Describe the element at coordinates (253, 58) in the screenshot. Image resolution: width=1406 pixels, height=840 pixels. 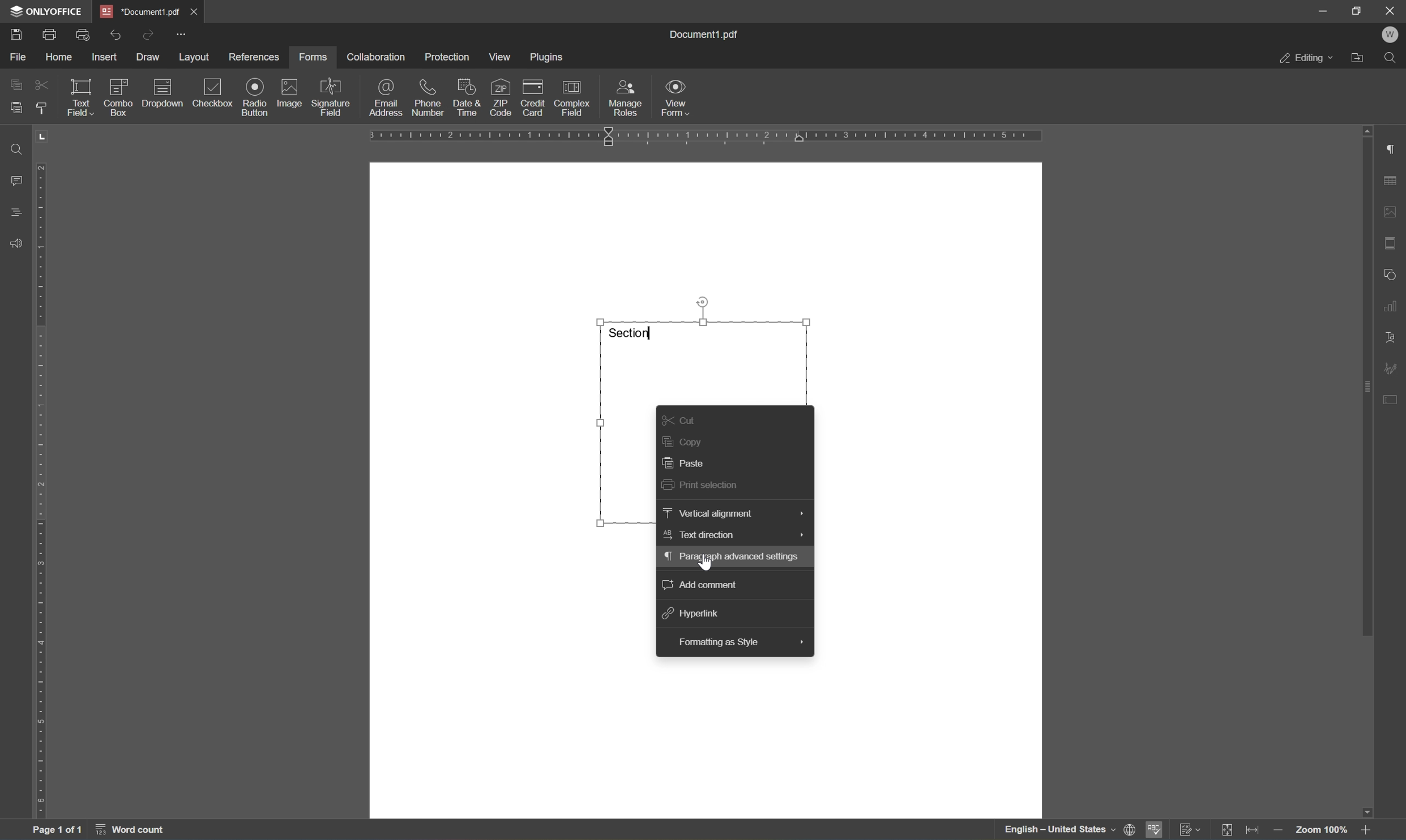
I see `references` at that location.